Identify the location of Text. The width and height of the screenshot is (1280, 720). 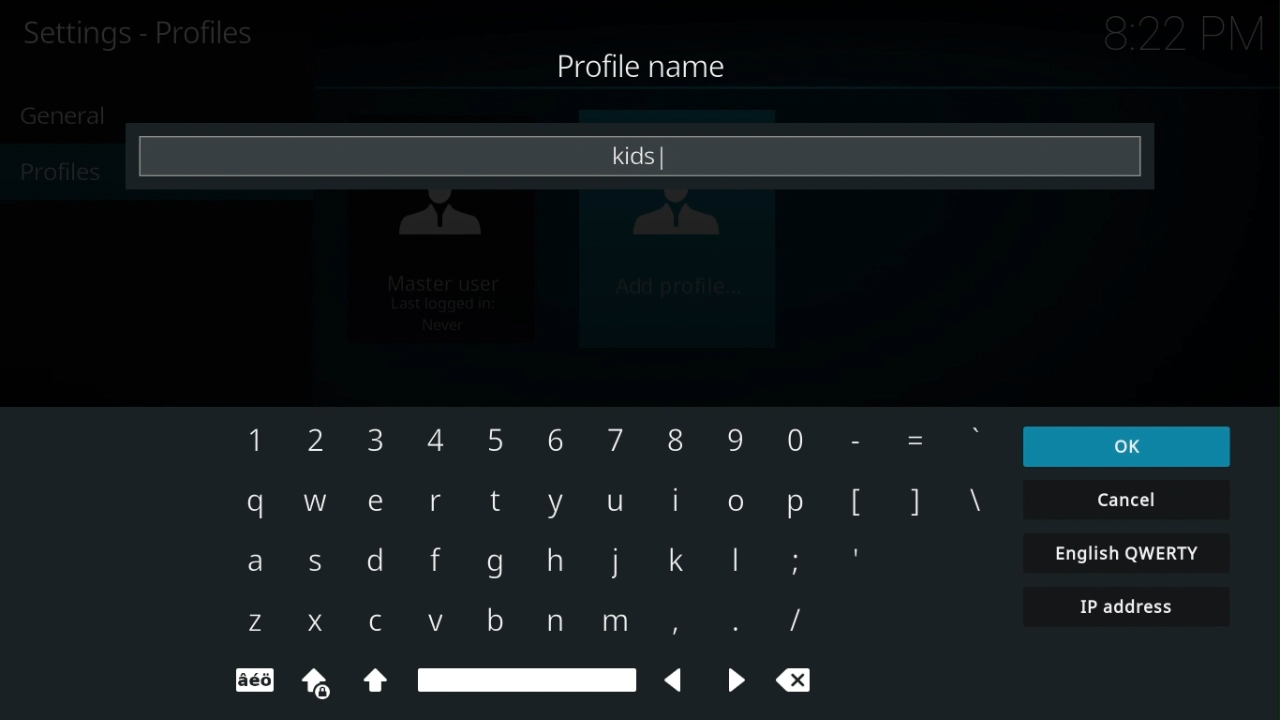
(639, 155).